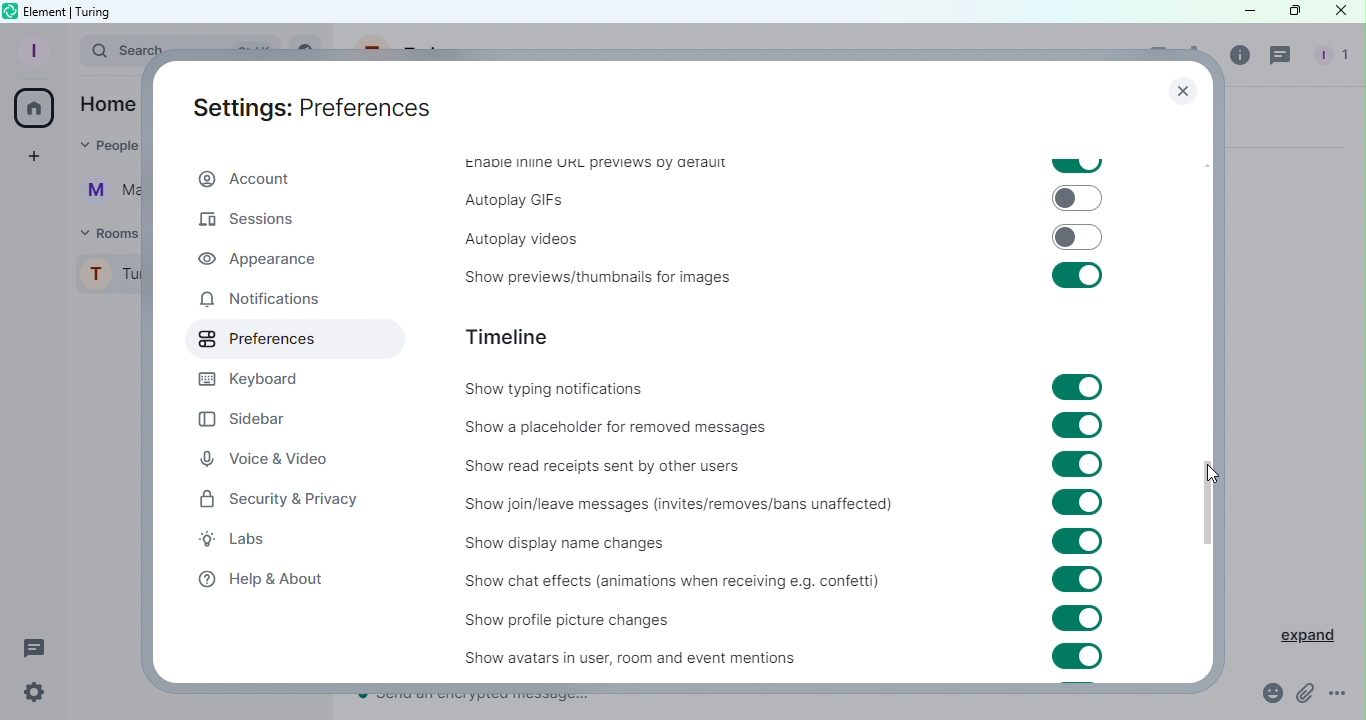 The height and width of the screenshot is (720, 1366). Describe the element at coordinates (36, 108) in the screenshot. I see `Home` at that location.